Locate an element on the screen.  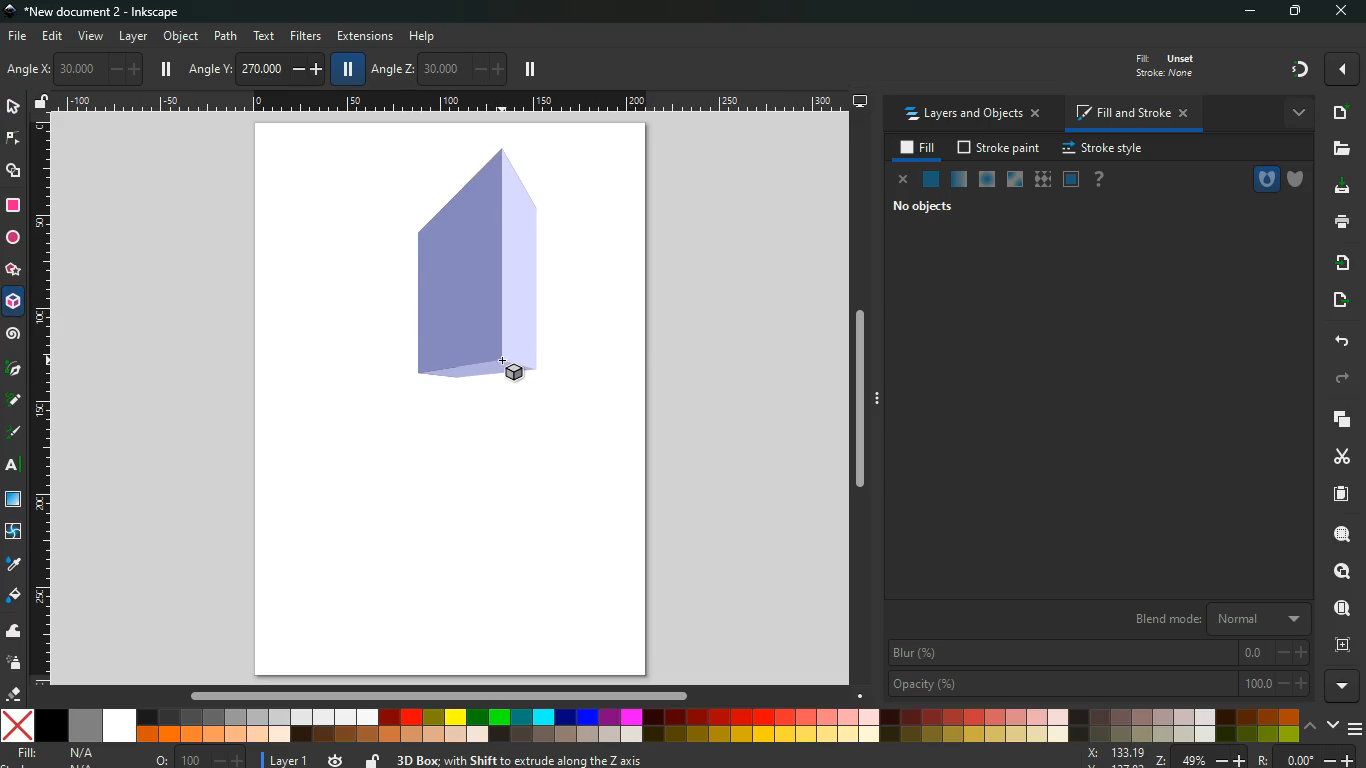
receive is located at coordinates (1337, 262).